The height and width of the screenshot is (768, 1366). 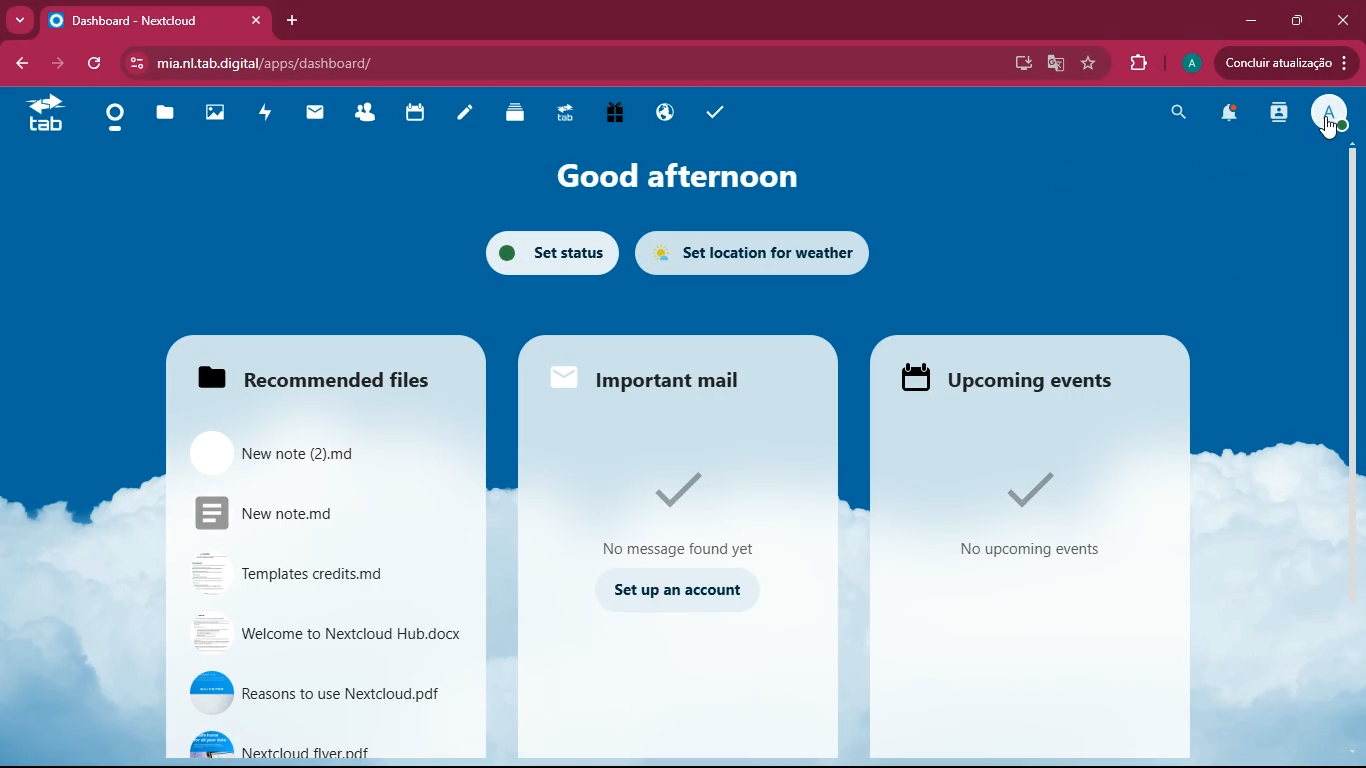 What do you see at coordinates (616, 114) in the screenshot?
I see `gift` at bounding box center [616, 114].